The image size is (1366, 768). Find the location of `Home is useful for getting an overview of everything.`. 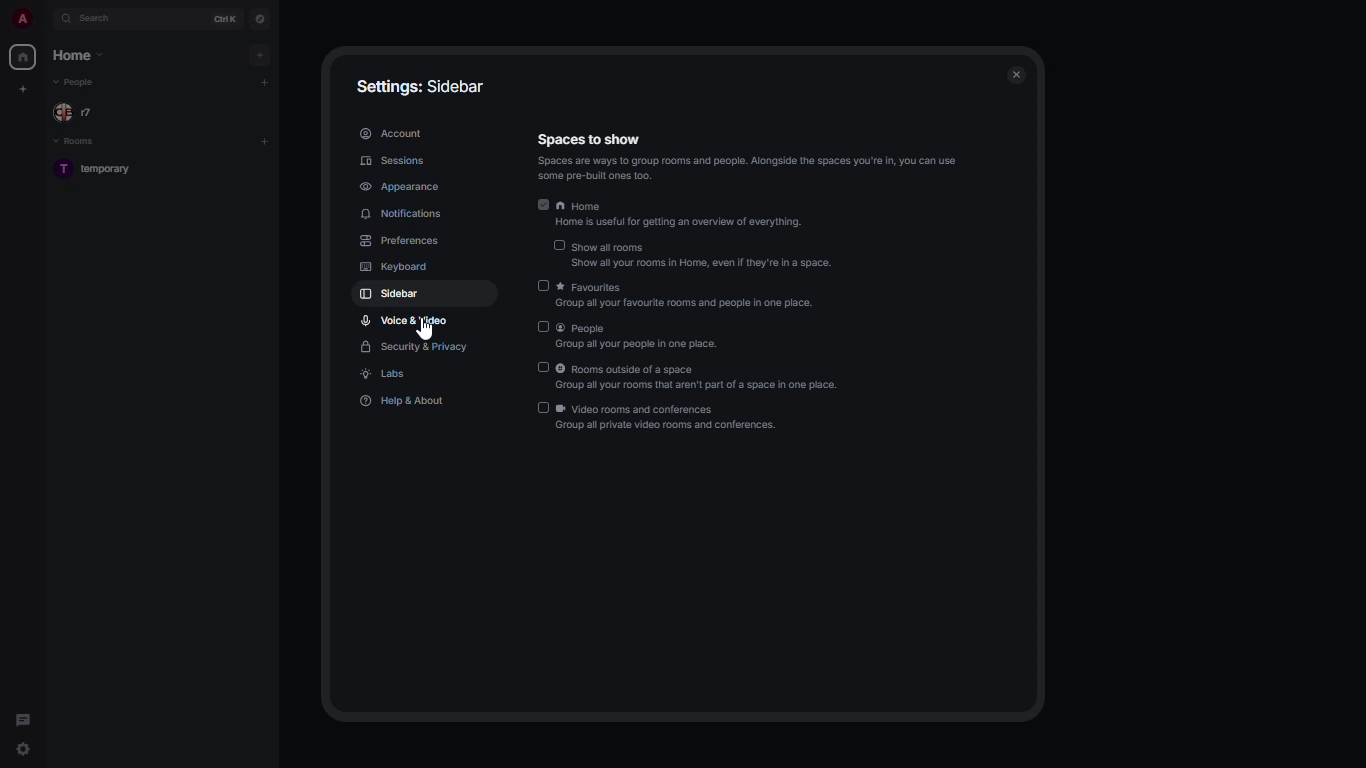

Home is useful for getting an overview of everything. is located at coordinates (695, 223).